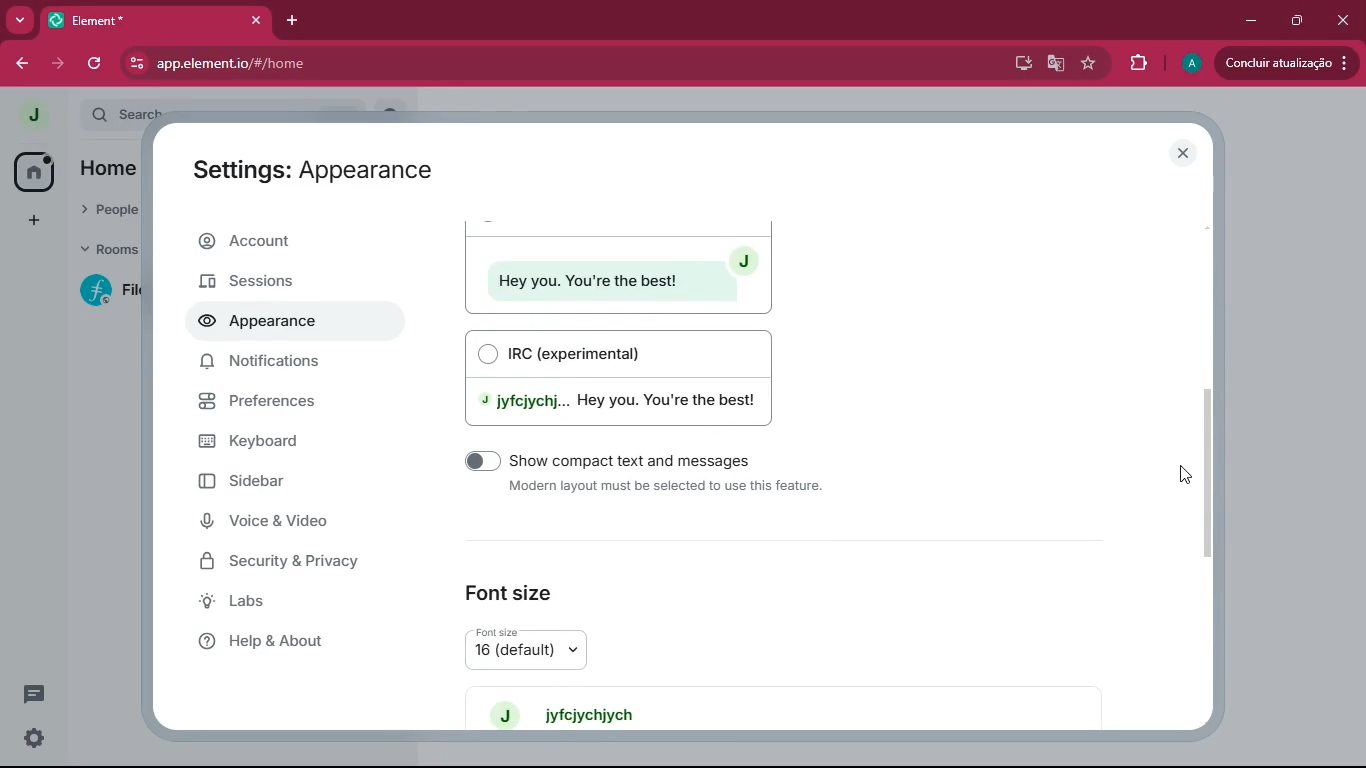  Describe the element at coordinates (288, 283) in the screenshot. I see `sessions` at that location.